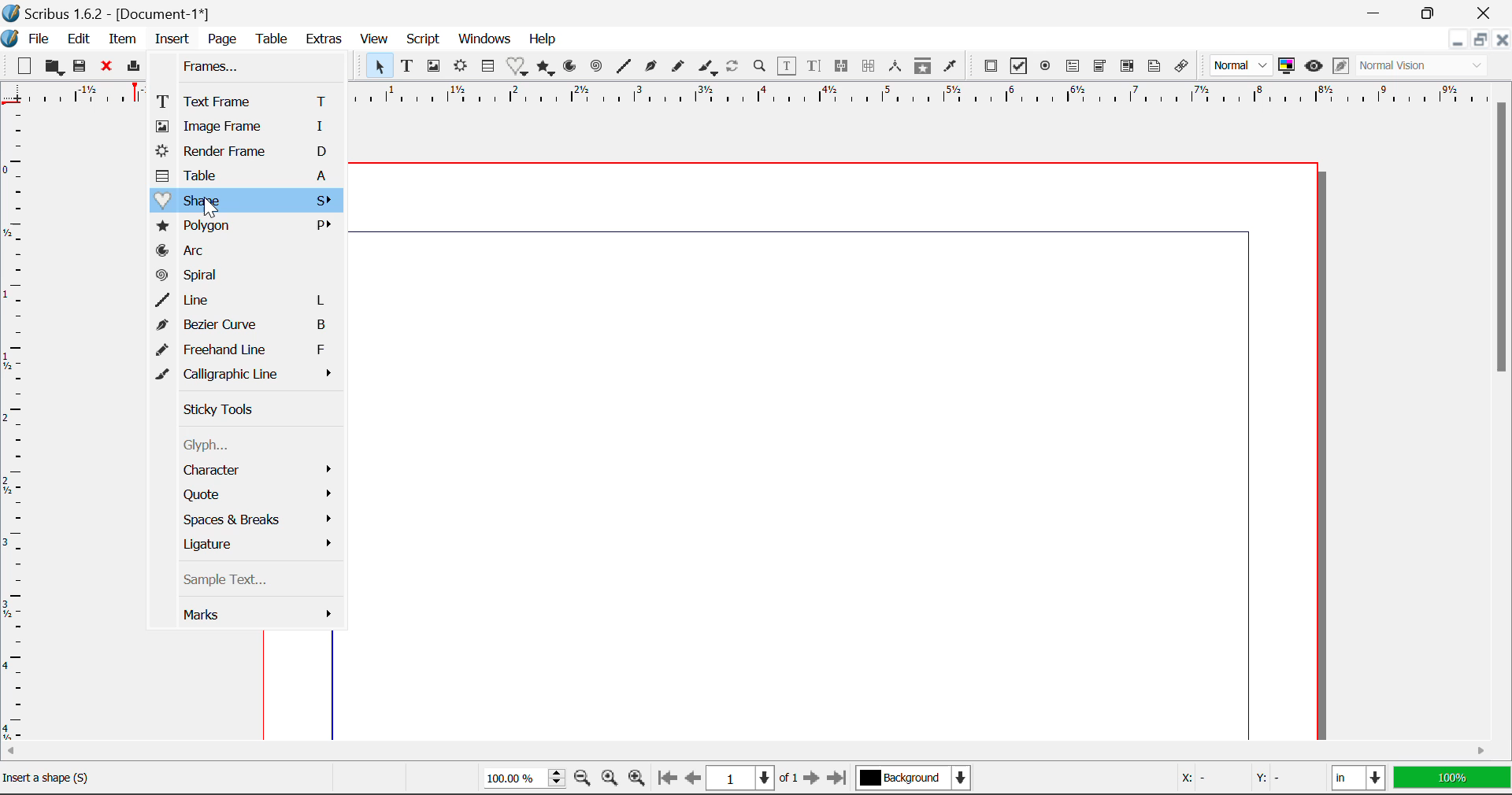  I want to click on Calligraphic Curve, so click(708, 69).